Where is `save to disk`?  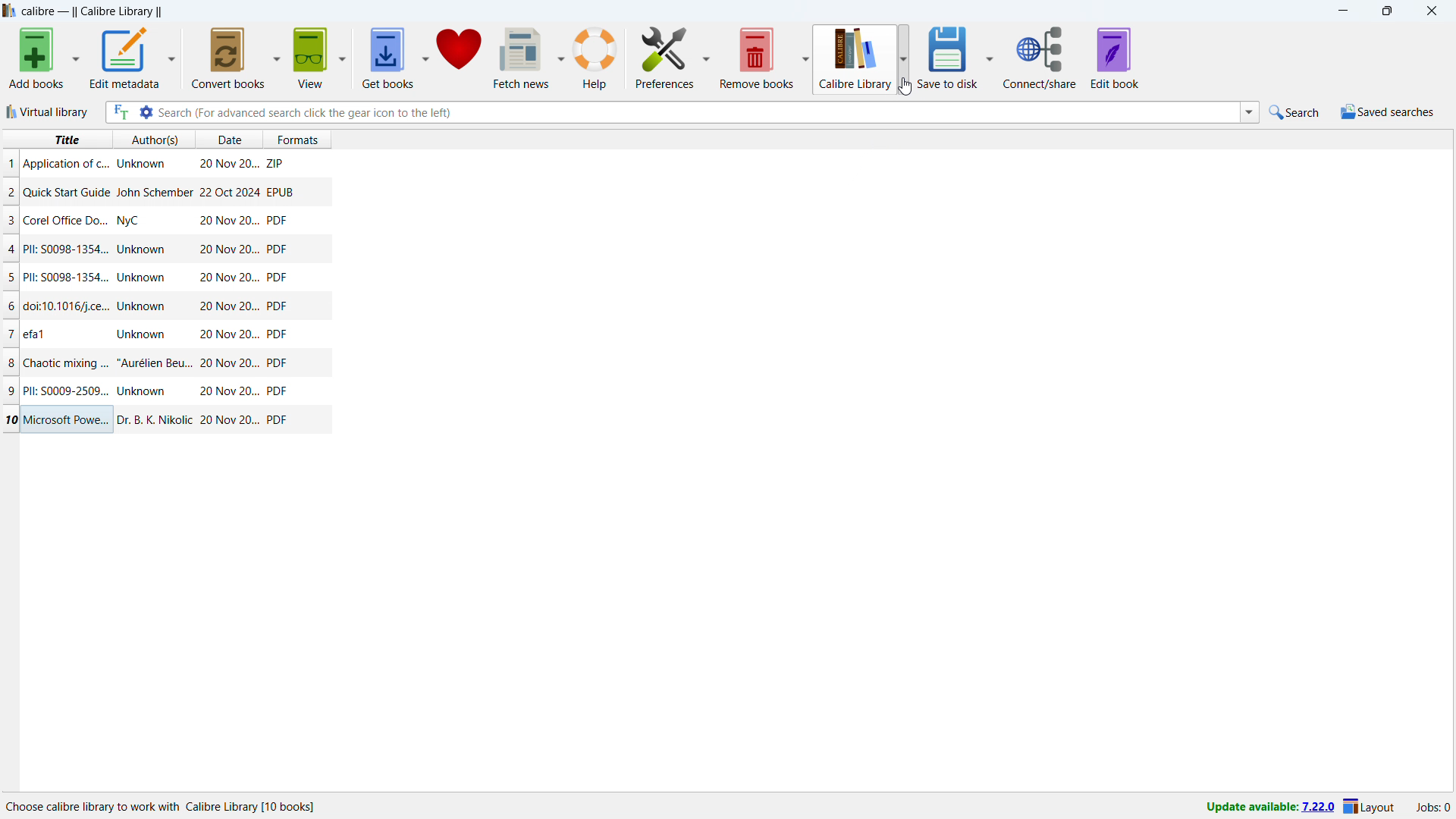 save to disk is located at coordinates (950, 57).